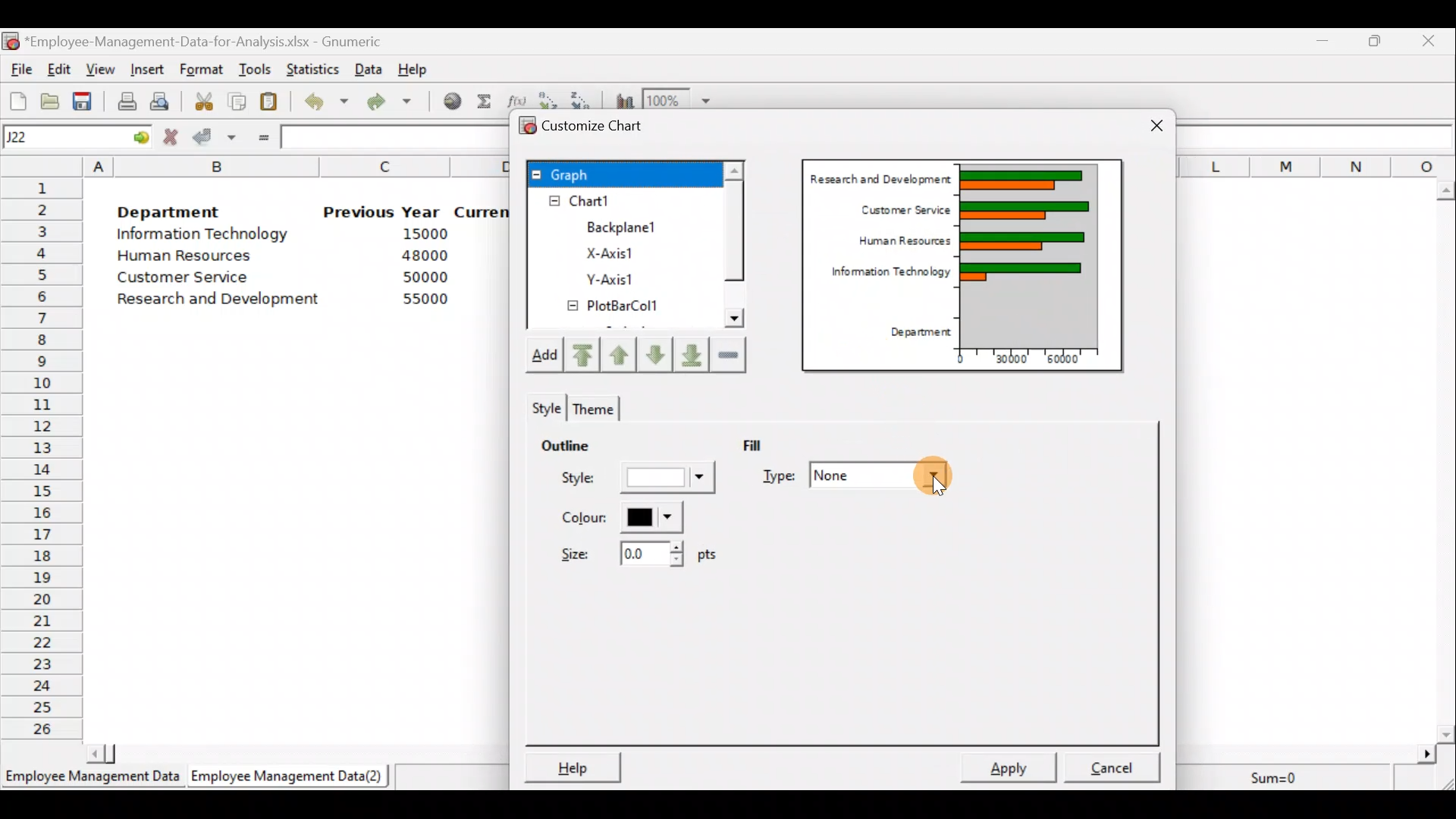 The height and width of the screenshot is (819, 1456). Describe the element at coordinates (652, 353) in the screenshot. I see `Move up` at that location.